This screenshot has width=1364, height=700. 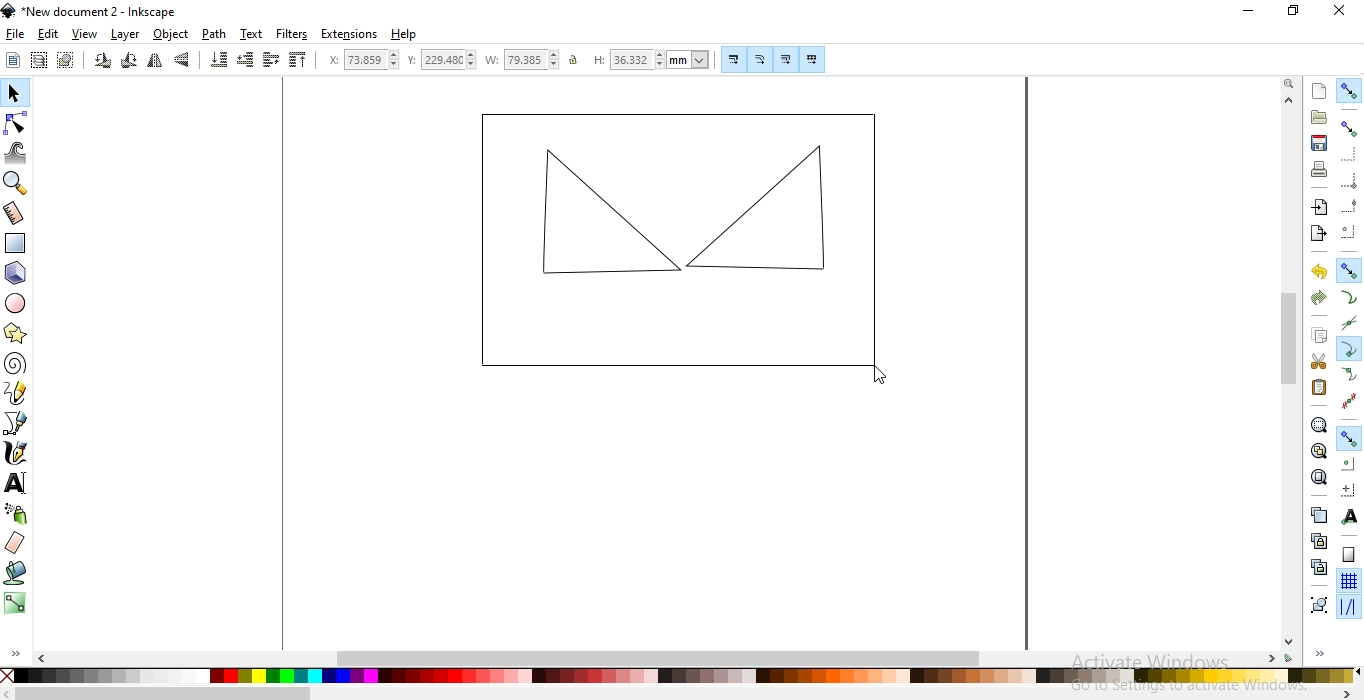 What do you see at coordinates (1346, 230) in the screenshot?
I see `snapping centers of bounding boxes` at bounding box center [1346, 230].